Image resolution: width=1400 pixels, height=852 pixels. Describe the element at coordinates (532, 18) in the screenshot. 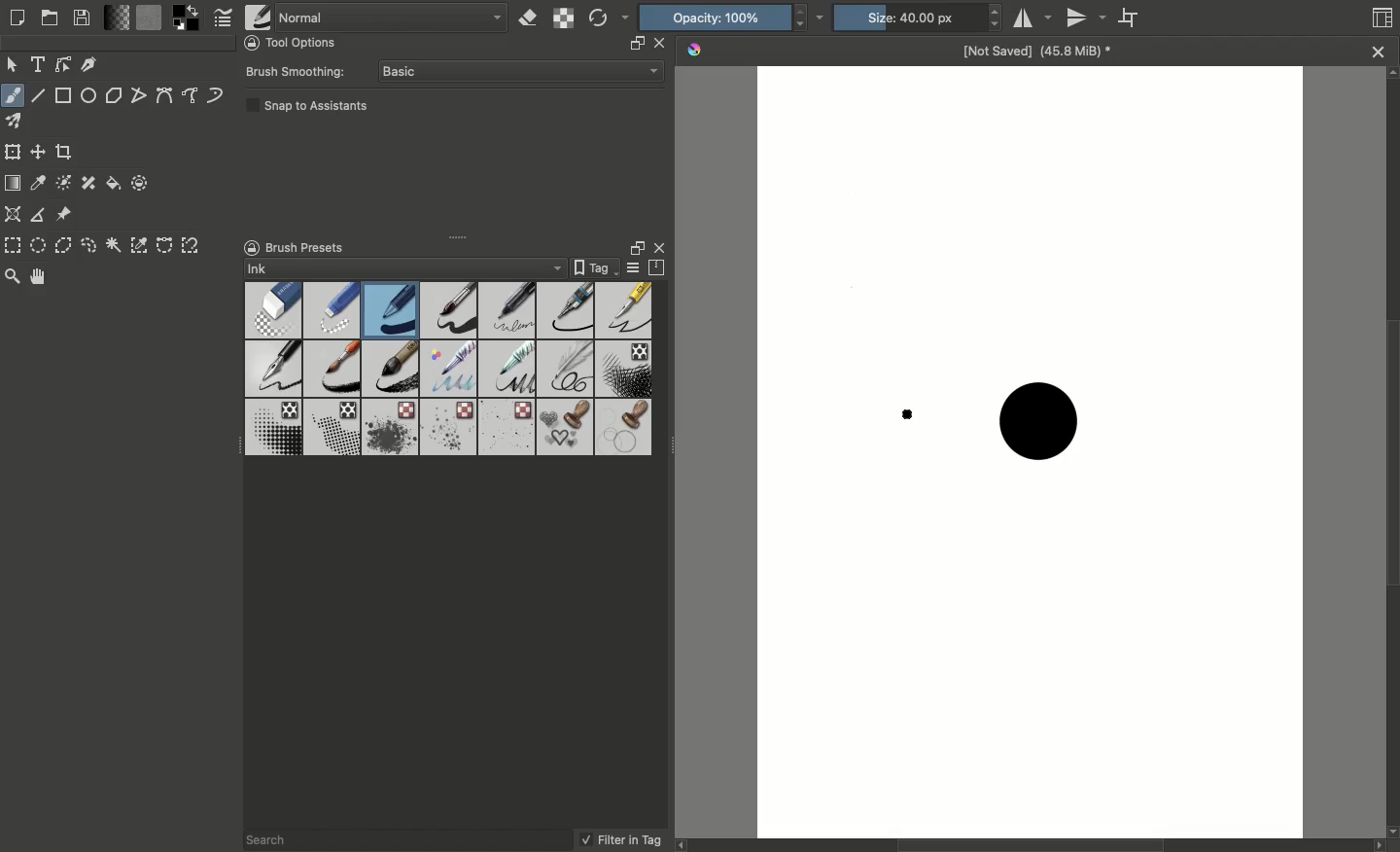

I see `Set eraser mode` at that location.